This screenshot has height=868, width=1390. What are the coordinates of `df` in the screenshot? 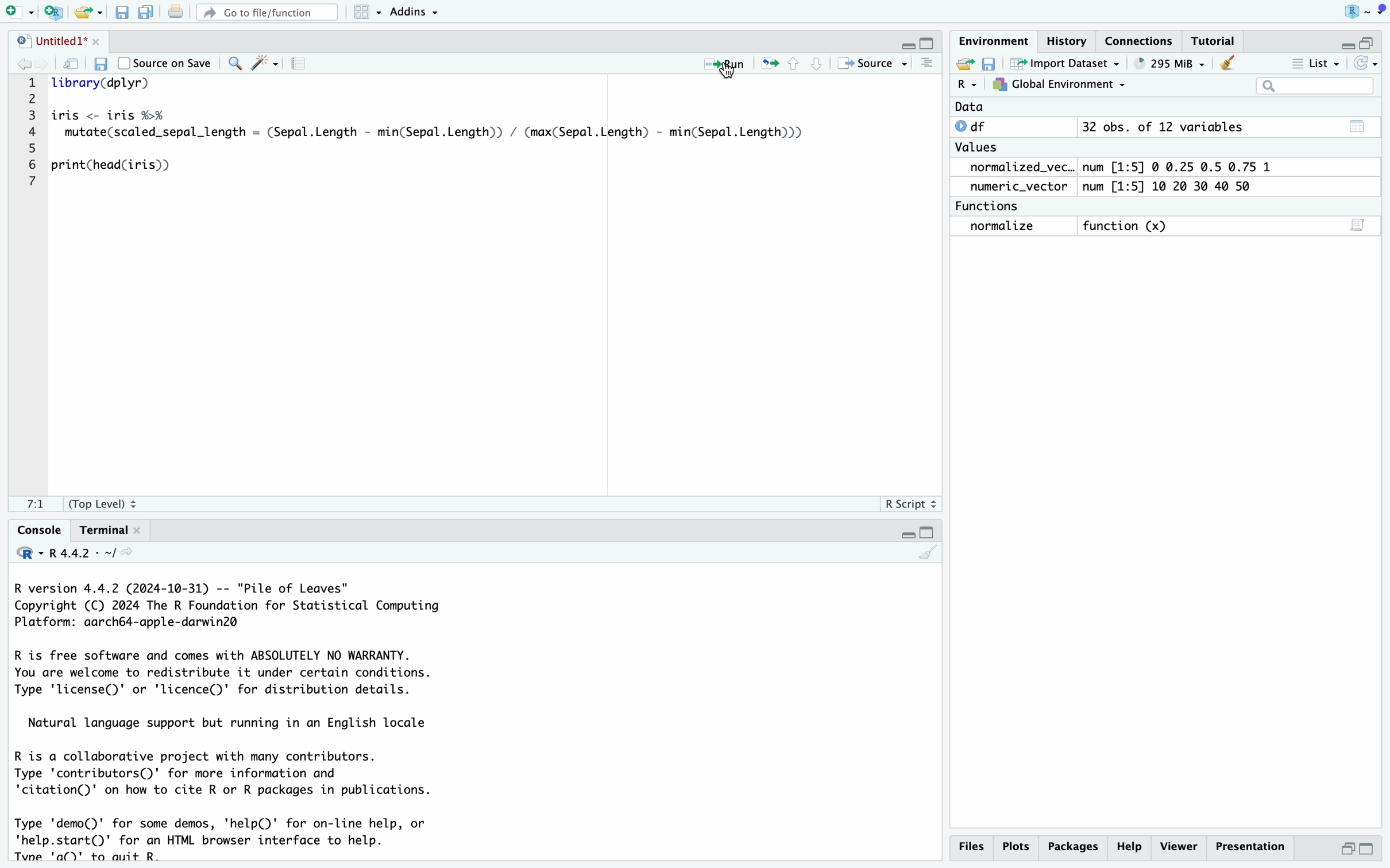 It's located at (975, 126).